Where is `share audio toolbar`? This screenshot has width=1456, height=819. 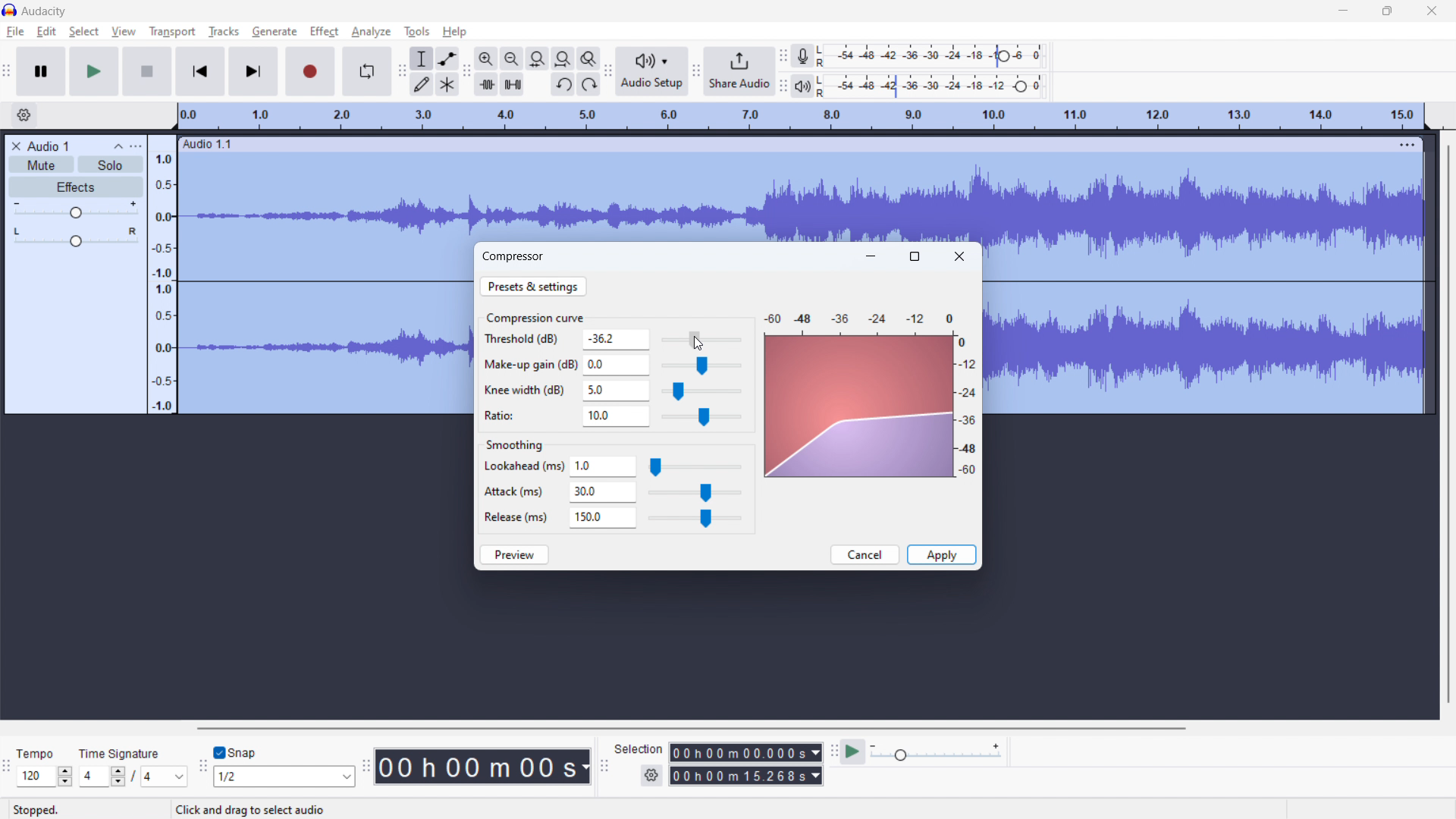 share audio toolbar is located at coordinates (696, 71).